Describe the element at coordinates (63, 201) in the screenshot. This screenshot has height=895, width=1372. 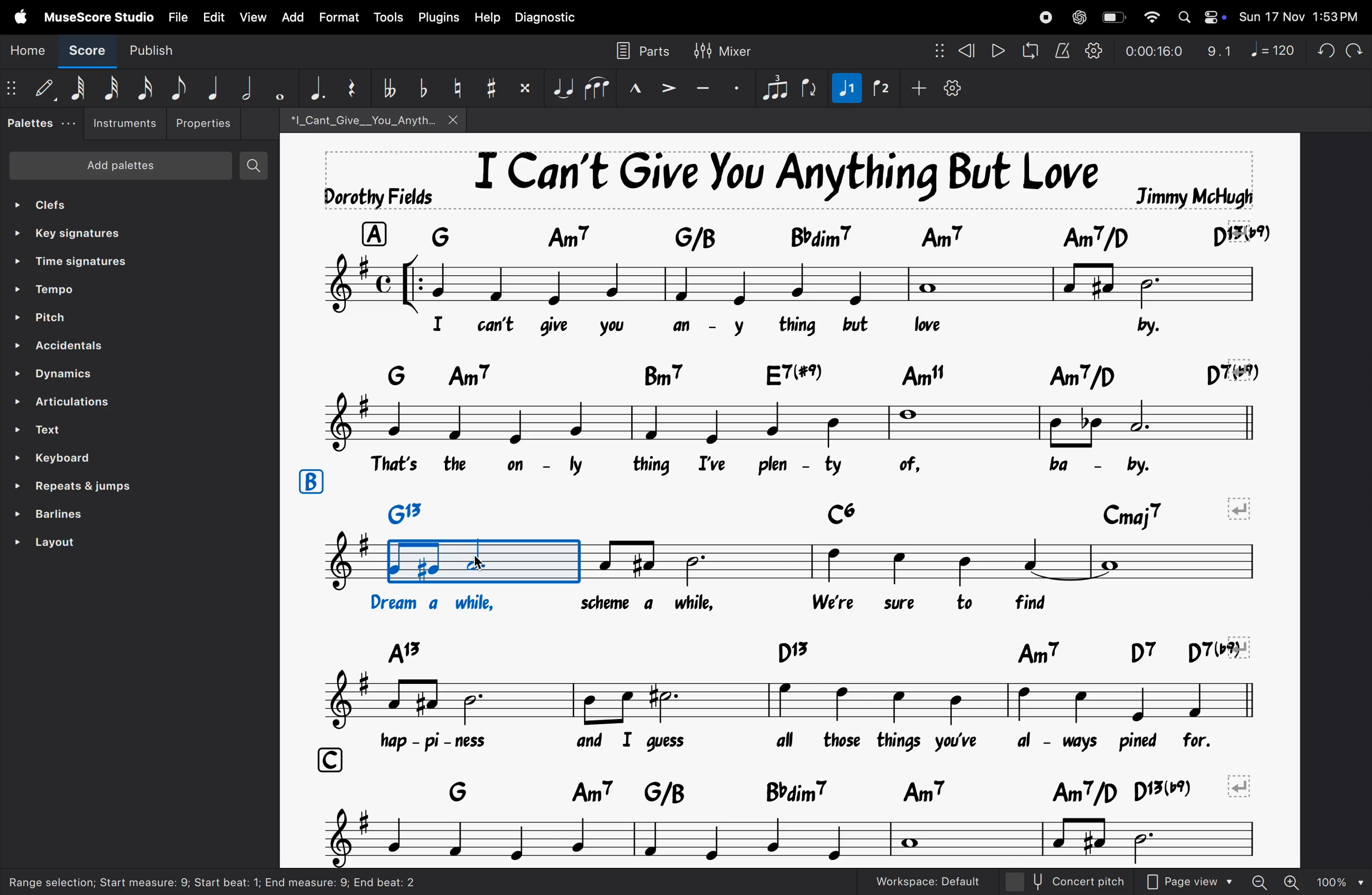
I see `clefs` at that location.